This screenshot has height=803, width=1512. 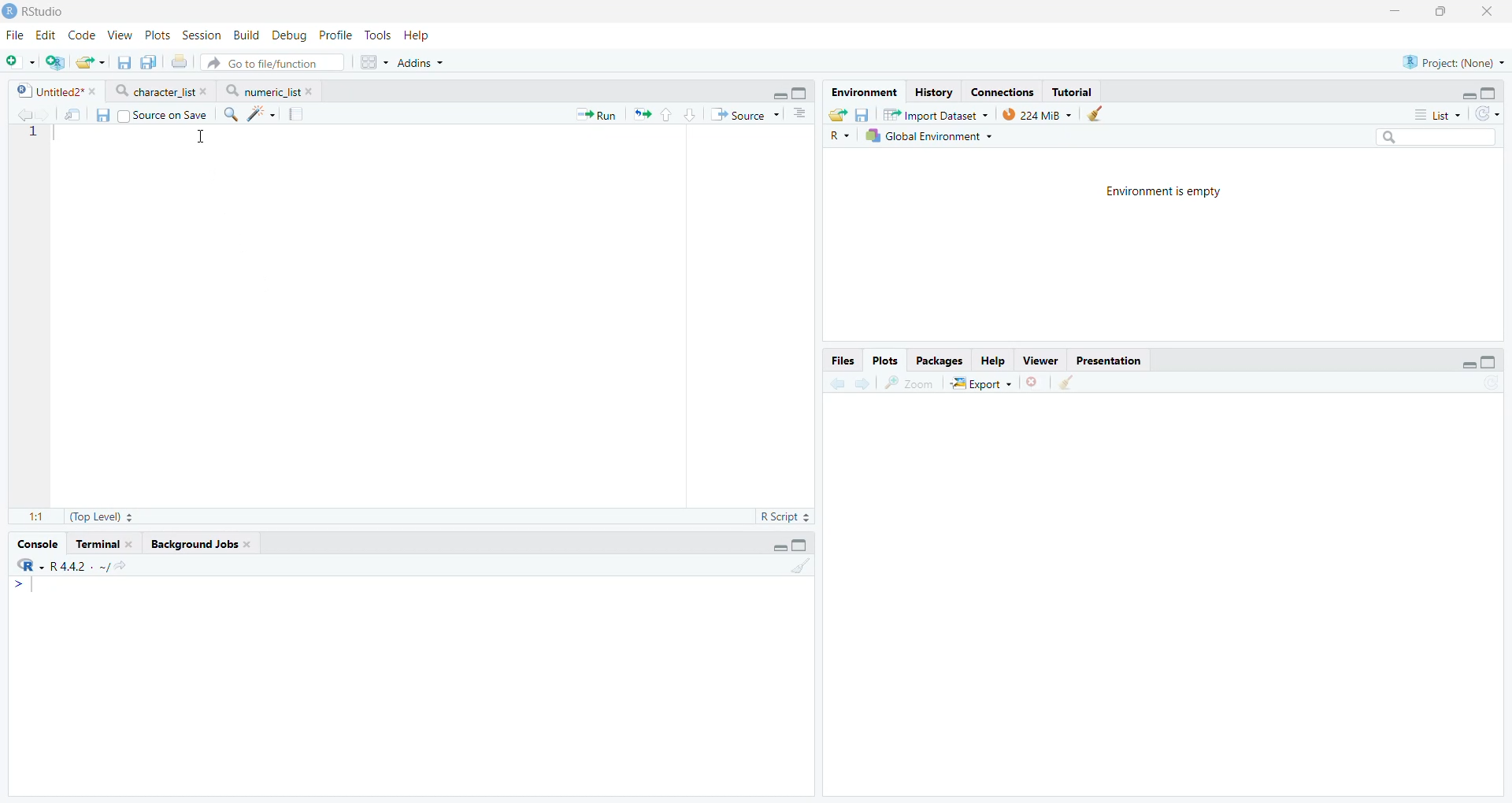 What do you see at coordinates (1490, 361) in the screenshot?
I see `Full Height` at bounding box center [1490, 361].